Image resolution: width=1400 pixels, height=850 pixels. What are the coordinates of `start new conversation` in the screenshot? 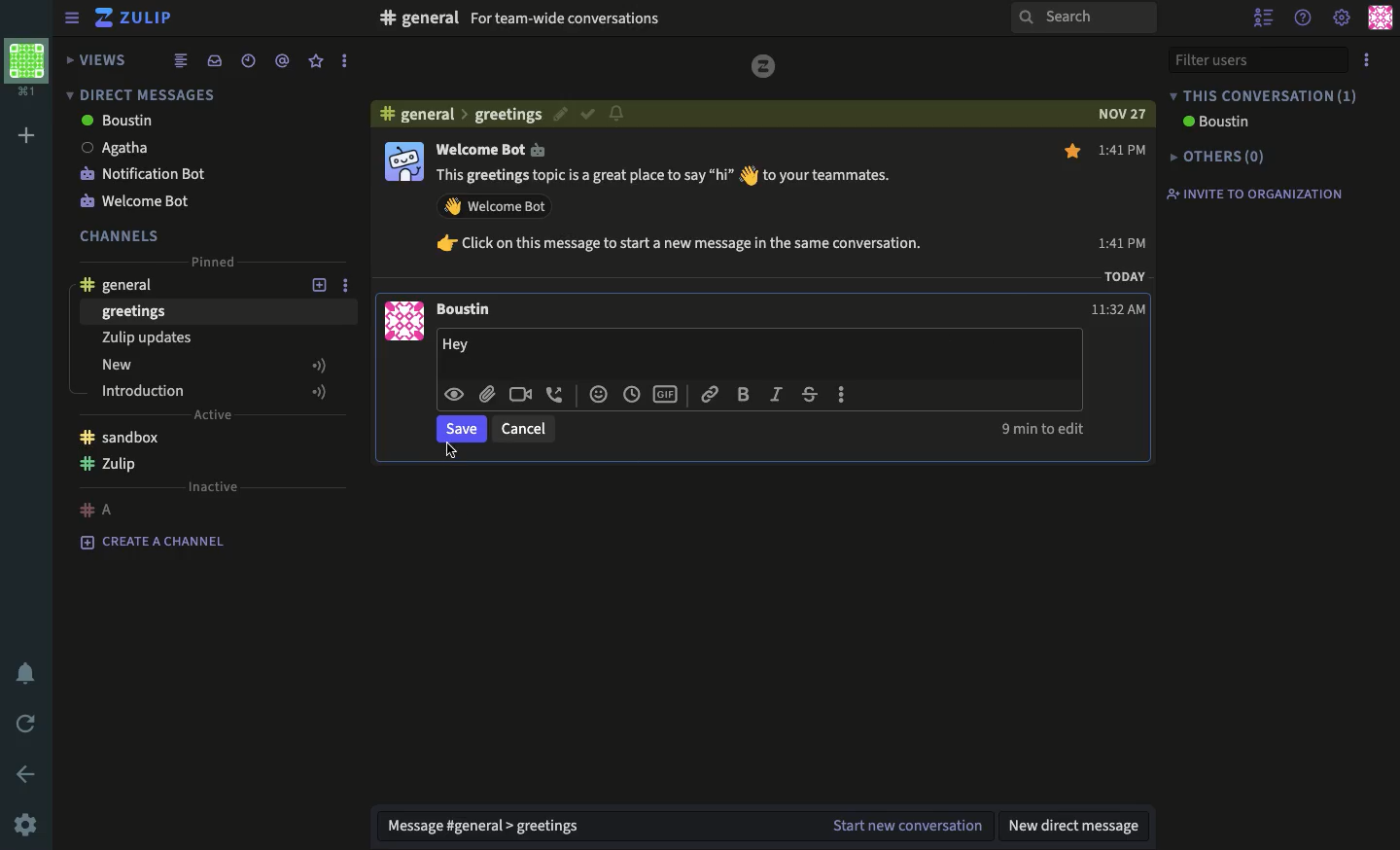 It's located at (909, 823).